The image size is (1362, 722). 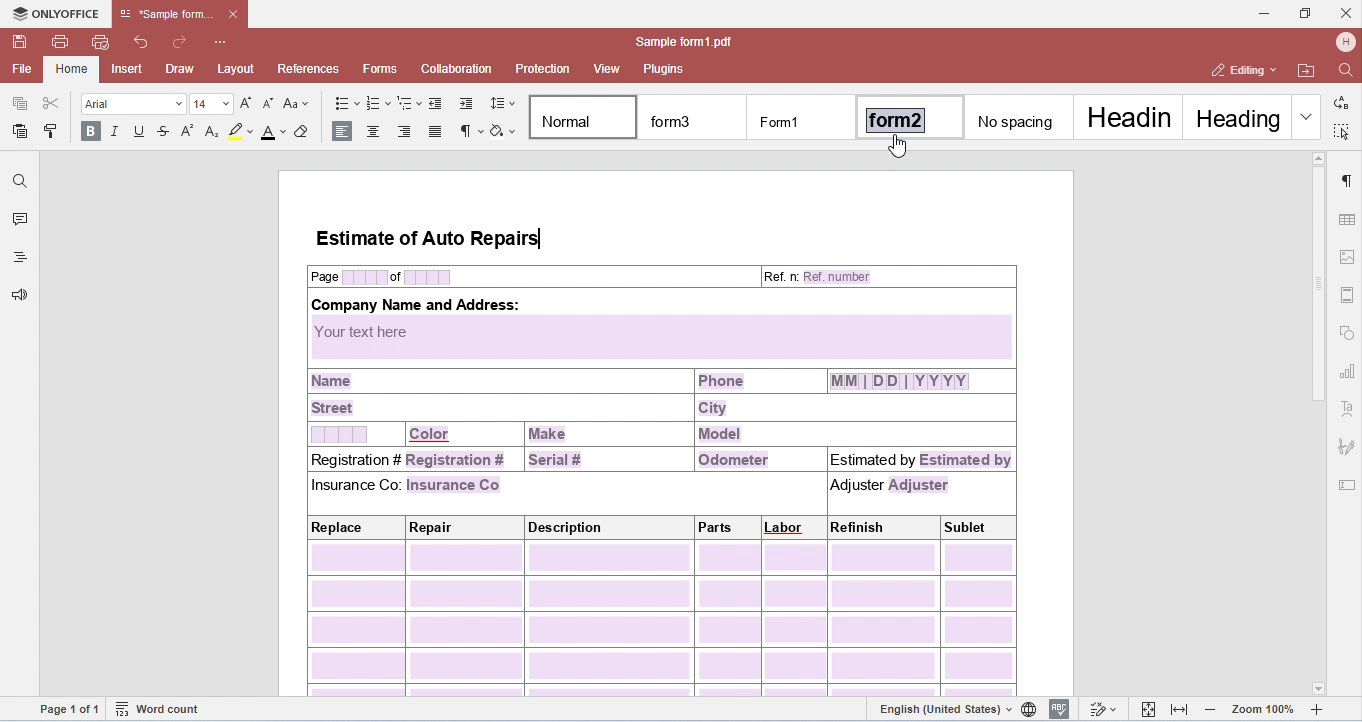 What do you see at coordinates (661, 443) in the screenshot?
I see `form in default style` at bounding box center [661, 443].